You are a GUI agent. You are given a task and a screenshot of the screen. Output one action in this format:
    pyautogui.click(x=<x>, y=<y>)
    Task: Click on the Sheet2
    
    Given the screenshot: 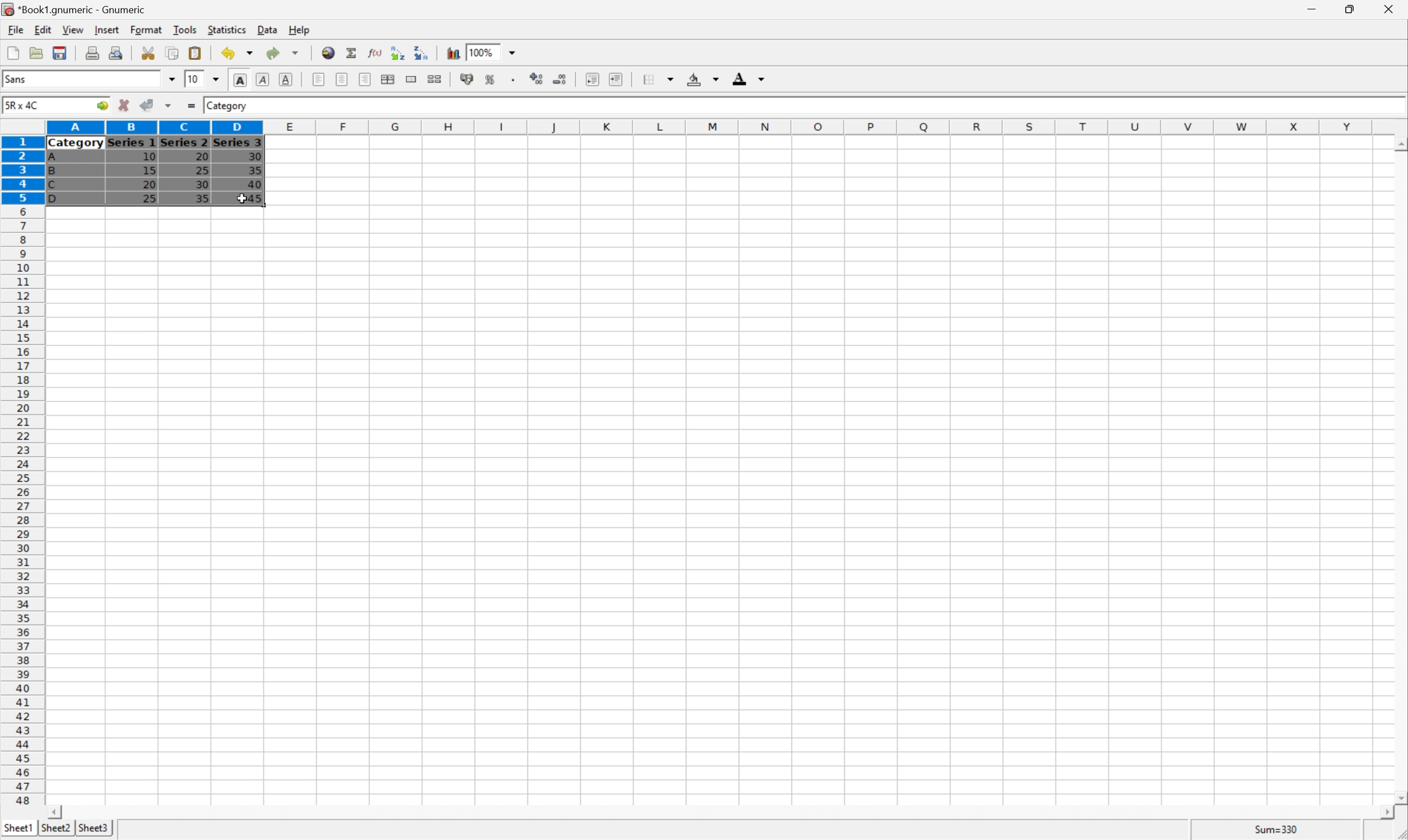 What is the action you would take?
    pyautogui.click(x=55, y=828)
    